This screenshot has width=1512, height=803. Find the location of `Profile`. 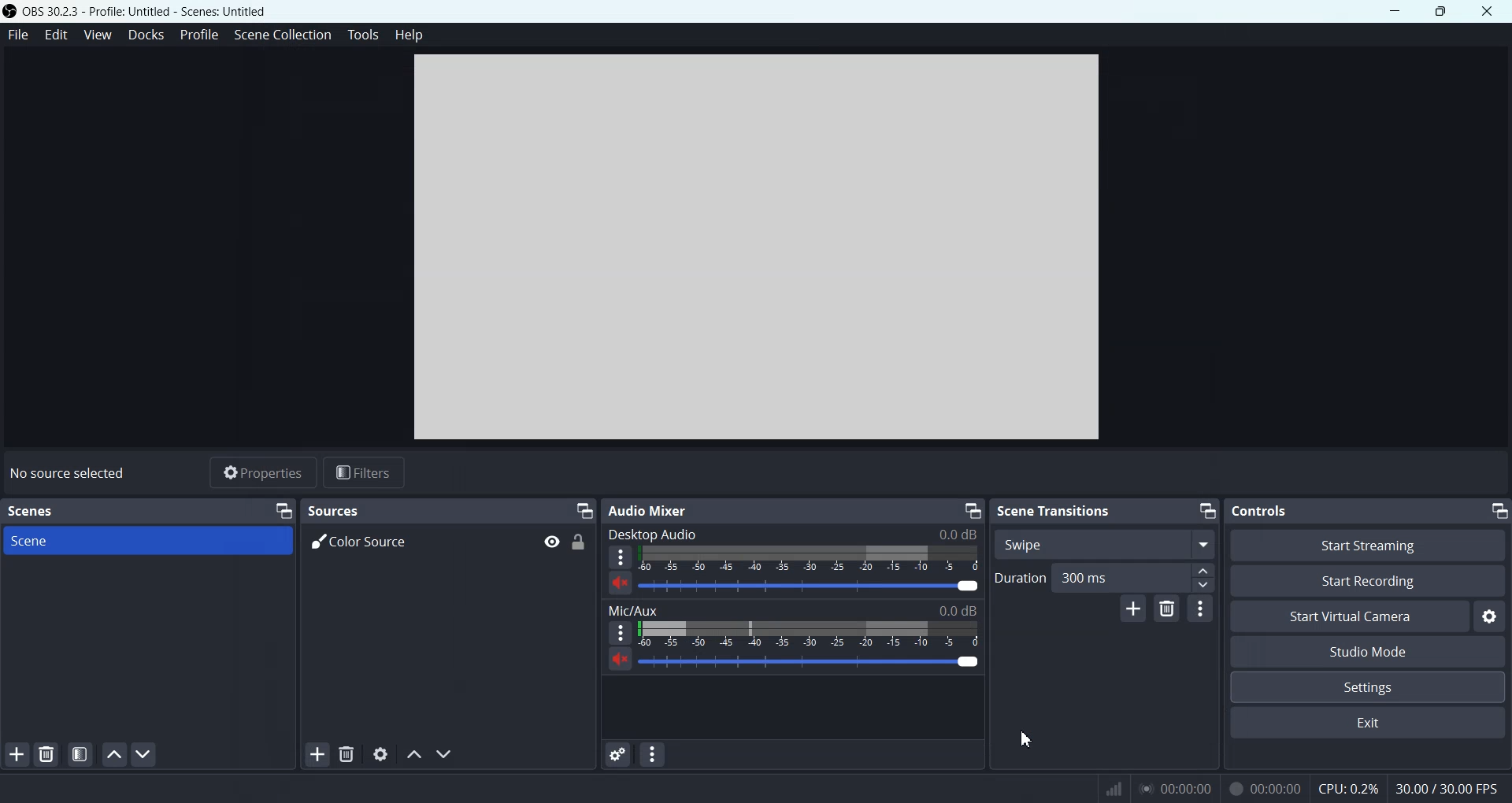

Profile is located at coordinates (199, 35).